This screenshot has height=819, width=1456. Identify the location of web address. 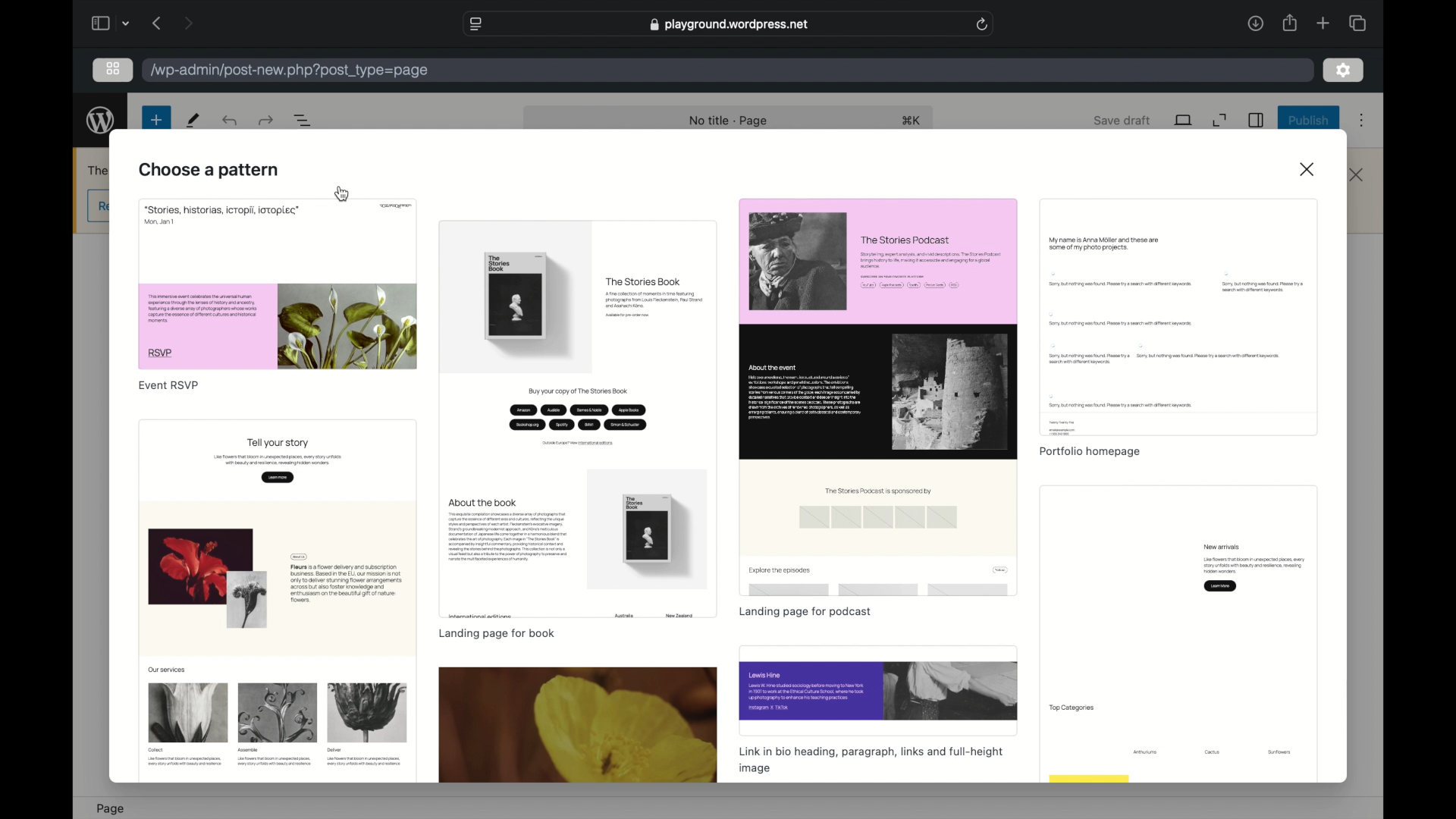
(728, 25).